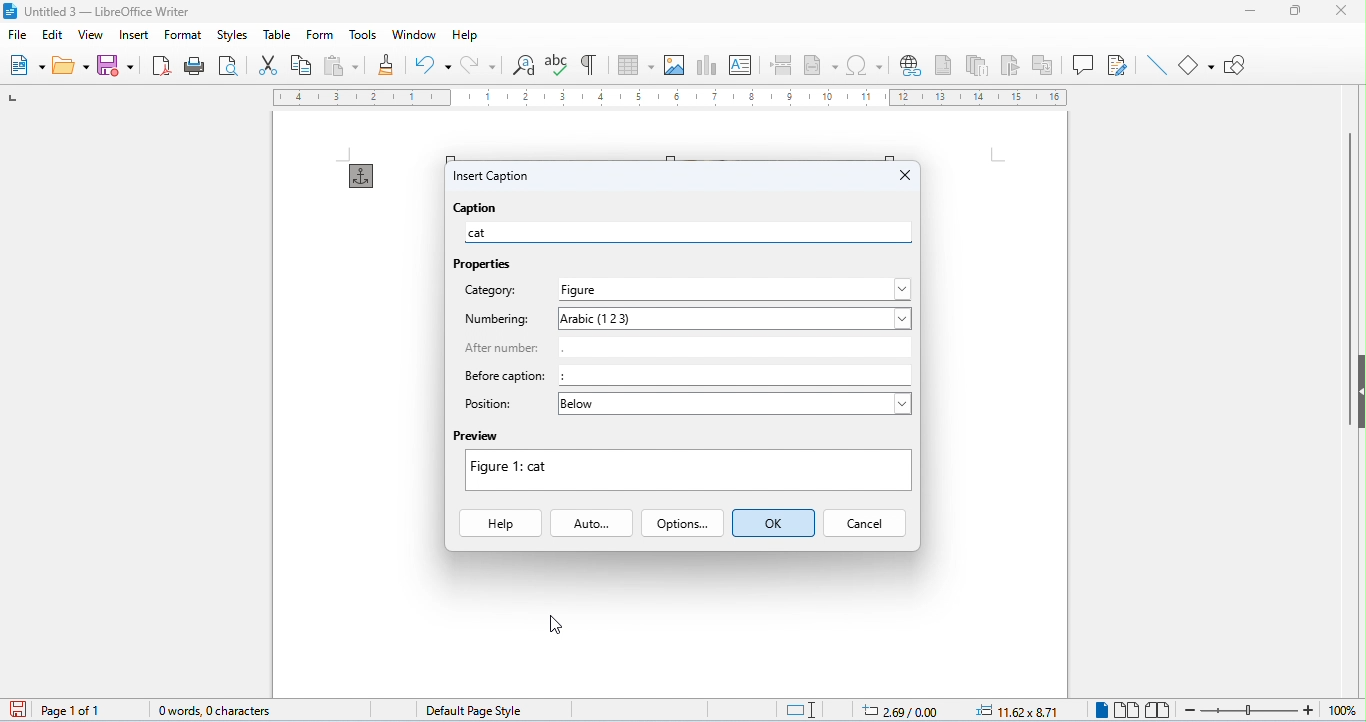  What do you see at coordinates (478, 208) in the screenshot?
I see `caption` at bounding box center [478, 208].